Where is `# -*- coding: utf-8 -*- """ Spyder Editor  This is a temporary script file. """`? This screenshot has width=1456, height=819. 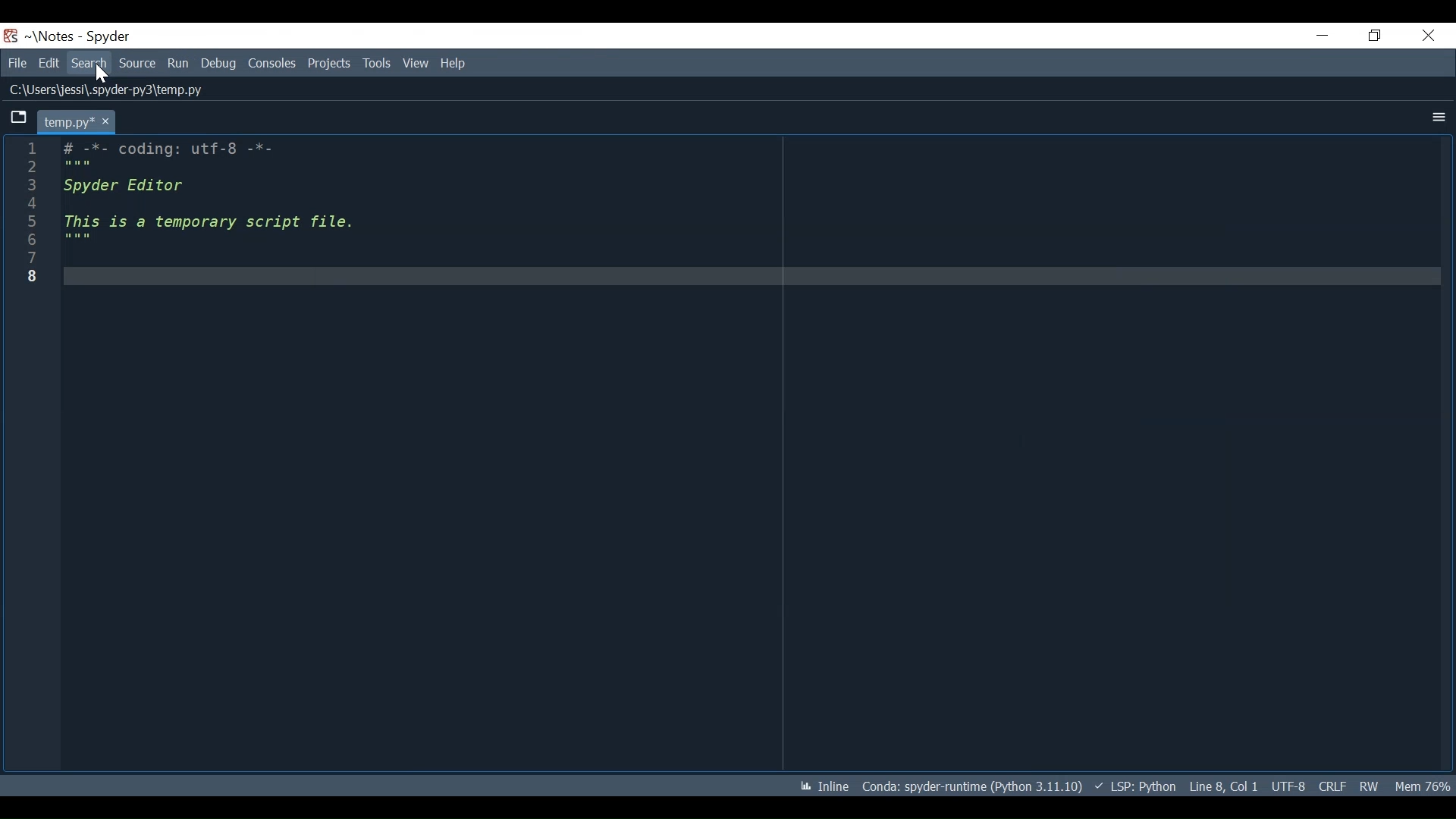 # -*- coding: utf-8 -*- """ Spyder Editor  This is a temporary script file. """ is located at coordinates (747, 452).